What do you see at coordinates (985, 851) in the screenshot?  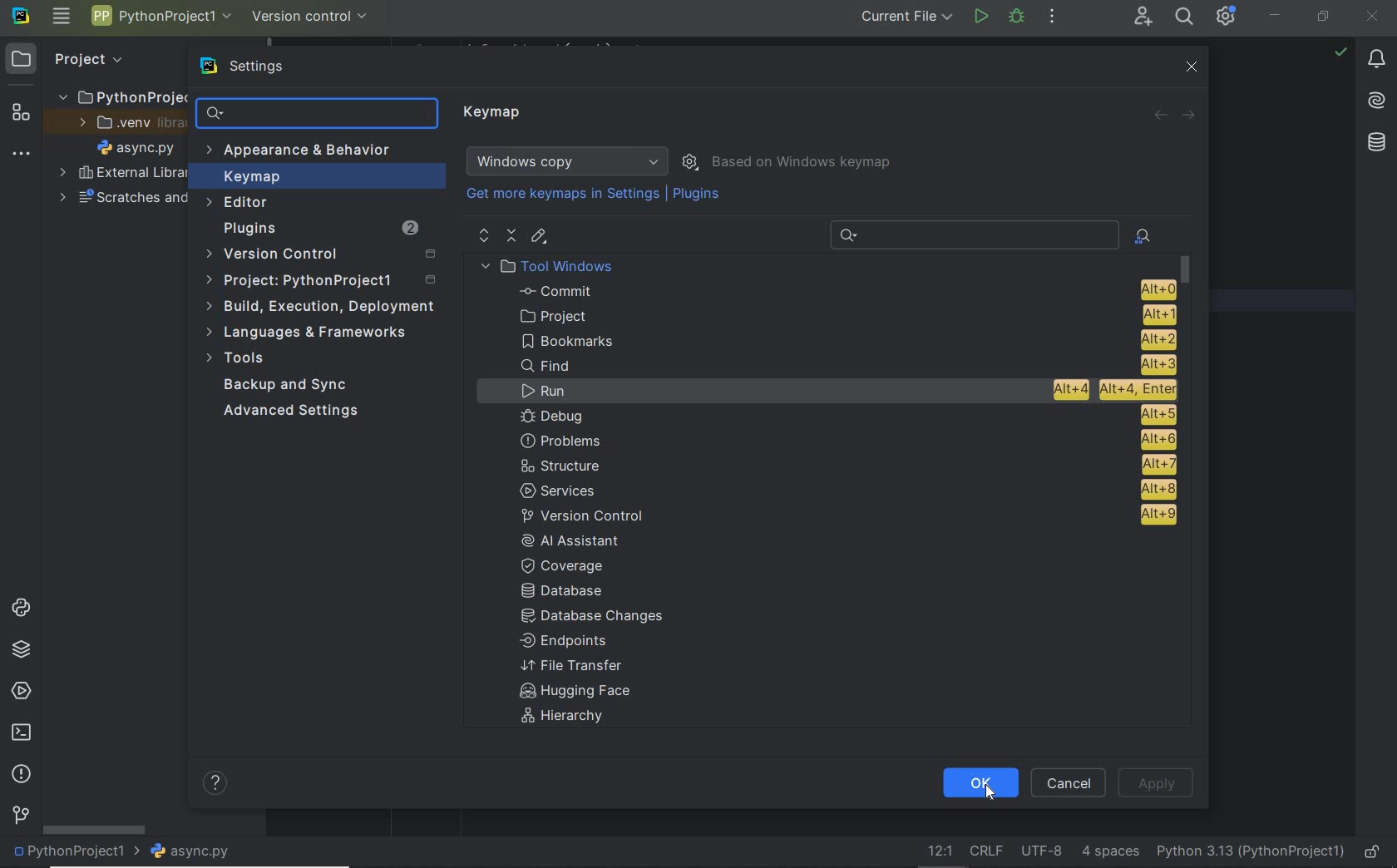 I see `Line separator` at bounding box center [985, 851].